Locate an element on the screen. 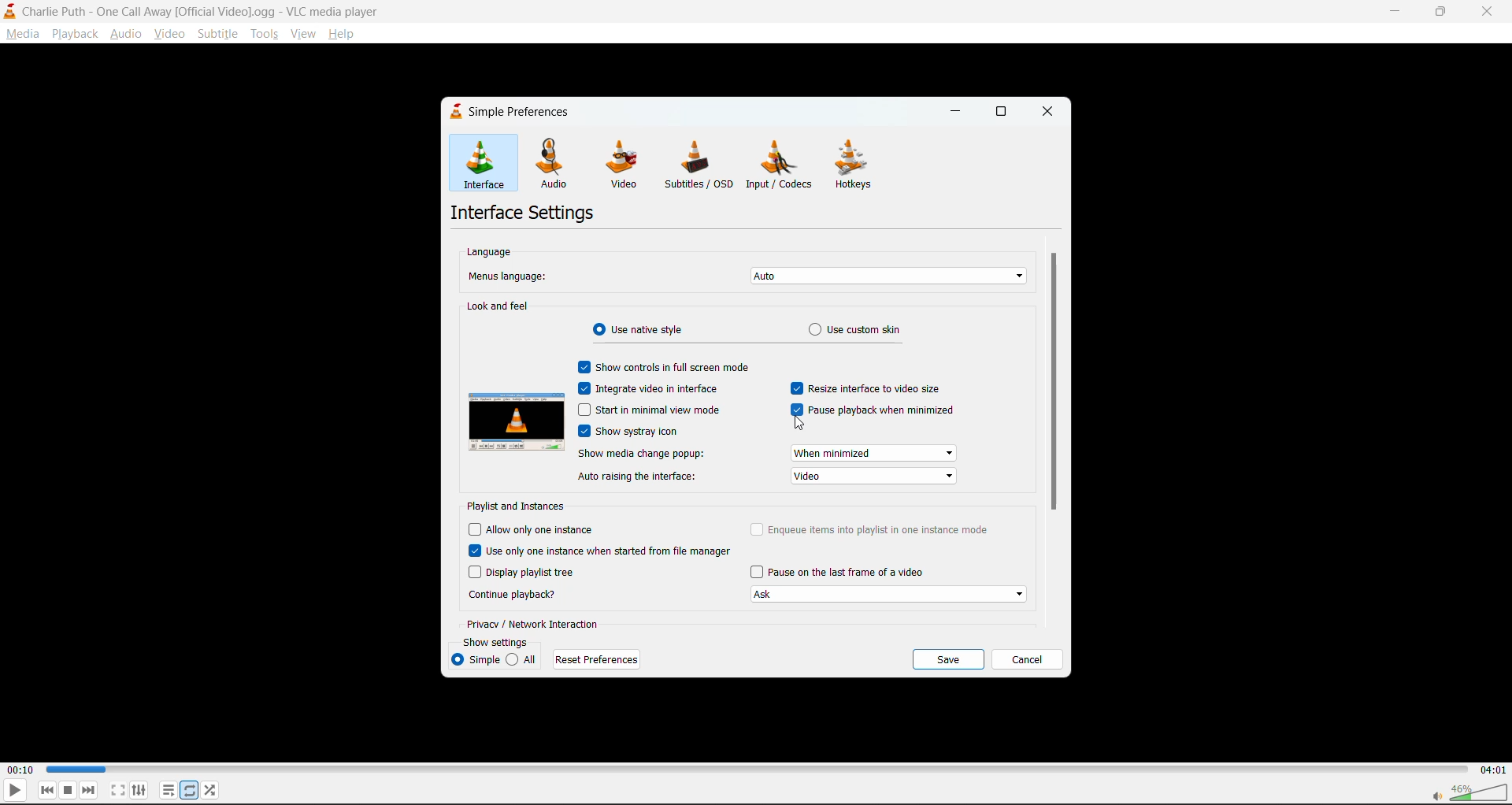 The image size is (1512, 805). cancel is located at coordinates (1025, 660).